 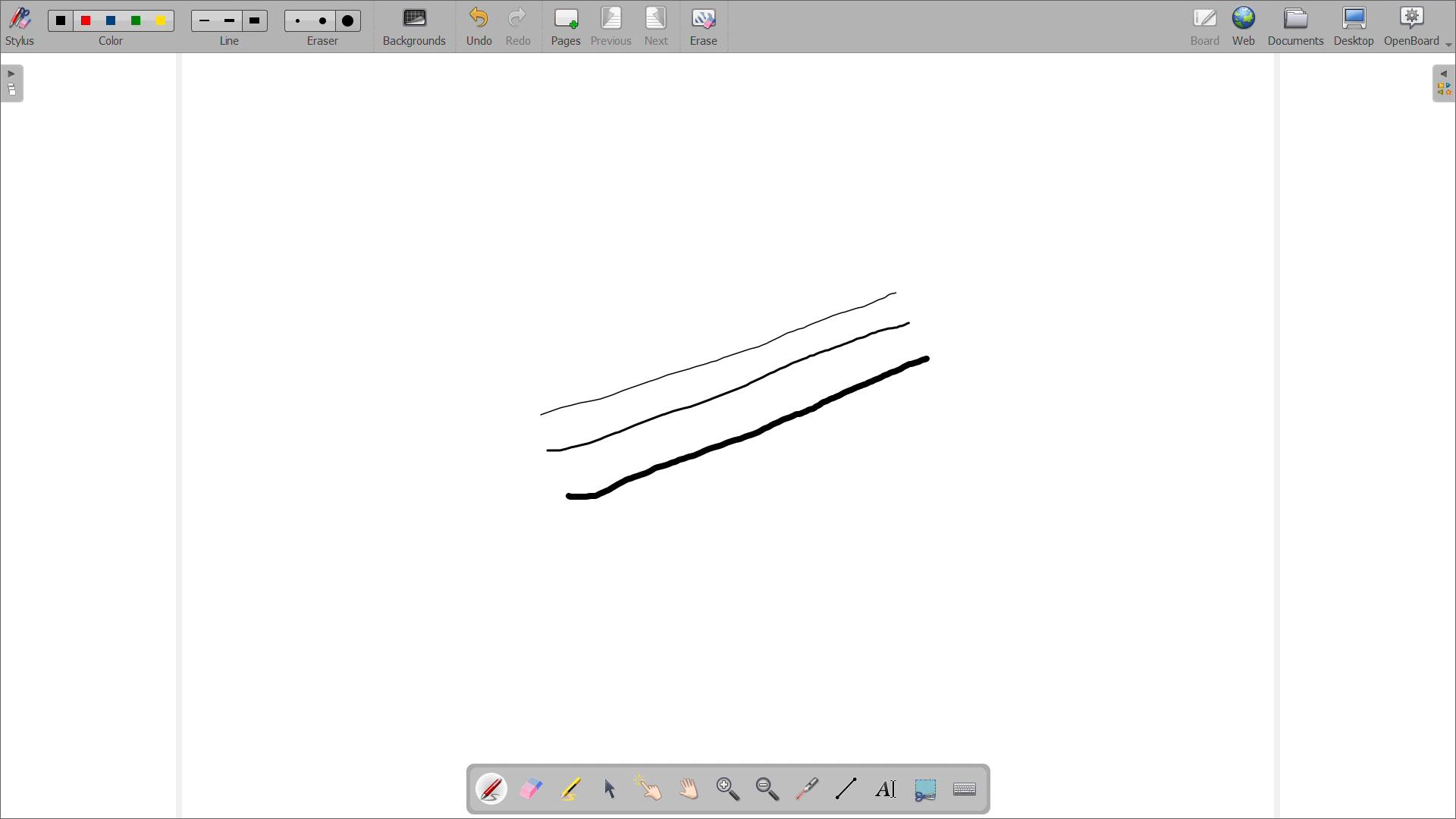 I want to click on cursor, so click(x=925, y=359).